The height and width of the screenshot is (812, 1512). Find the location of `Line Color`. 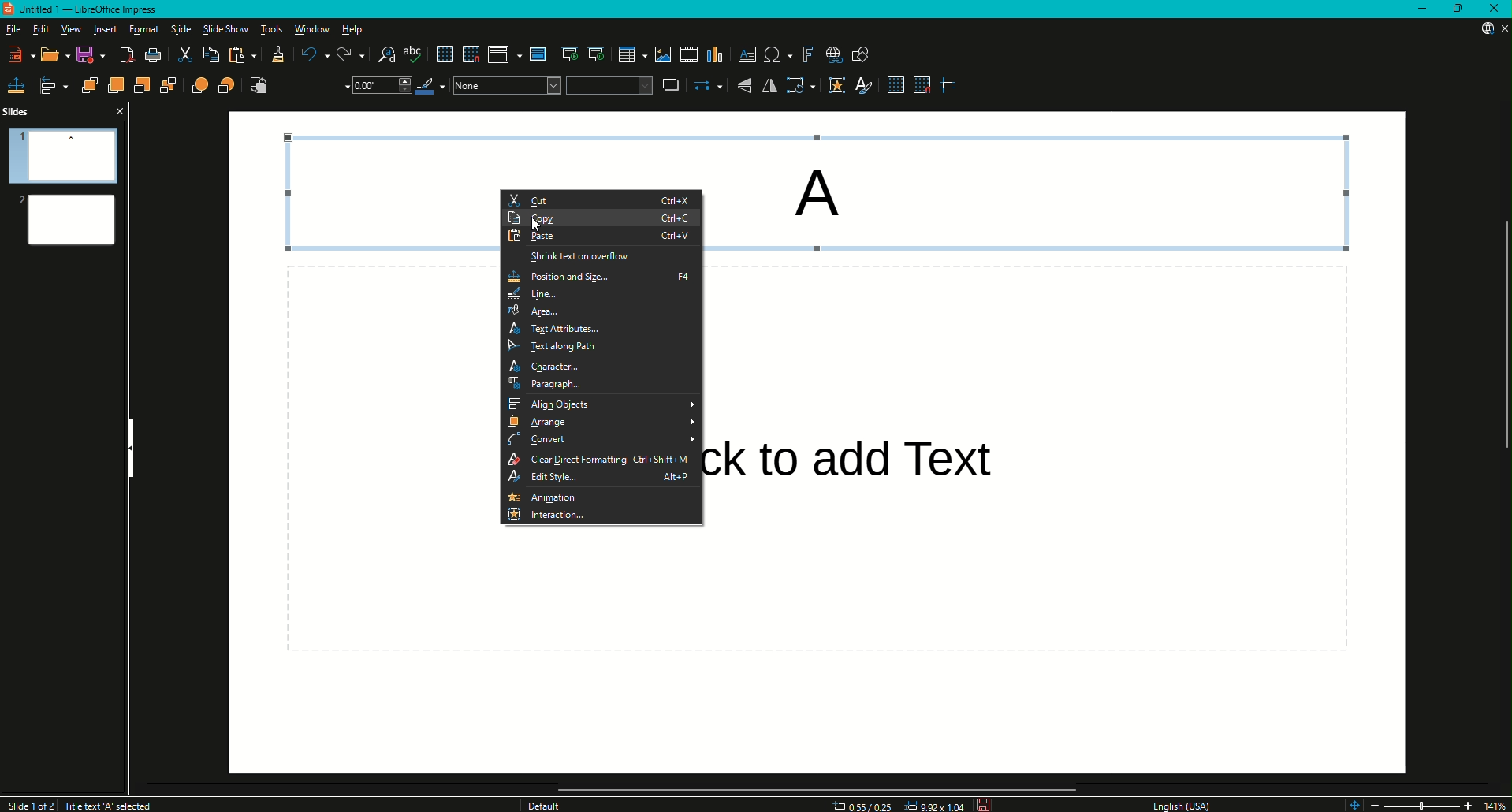

Line Color is located at coordinates (428, 88).